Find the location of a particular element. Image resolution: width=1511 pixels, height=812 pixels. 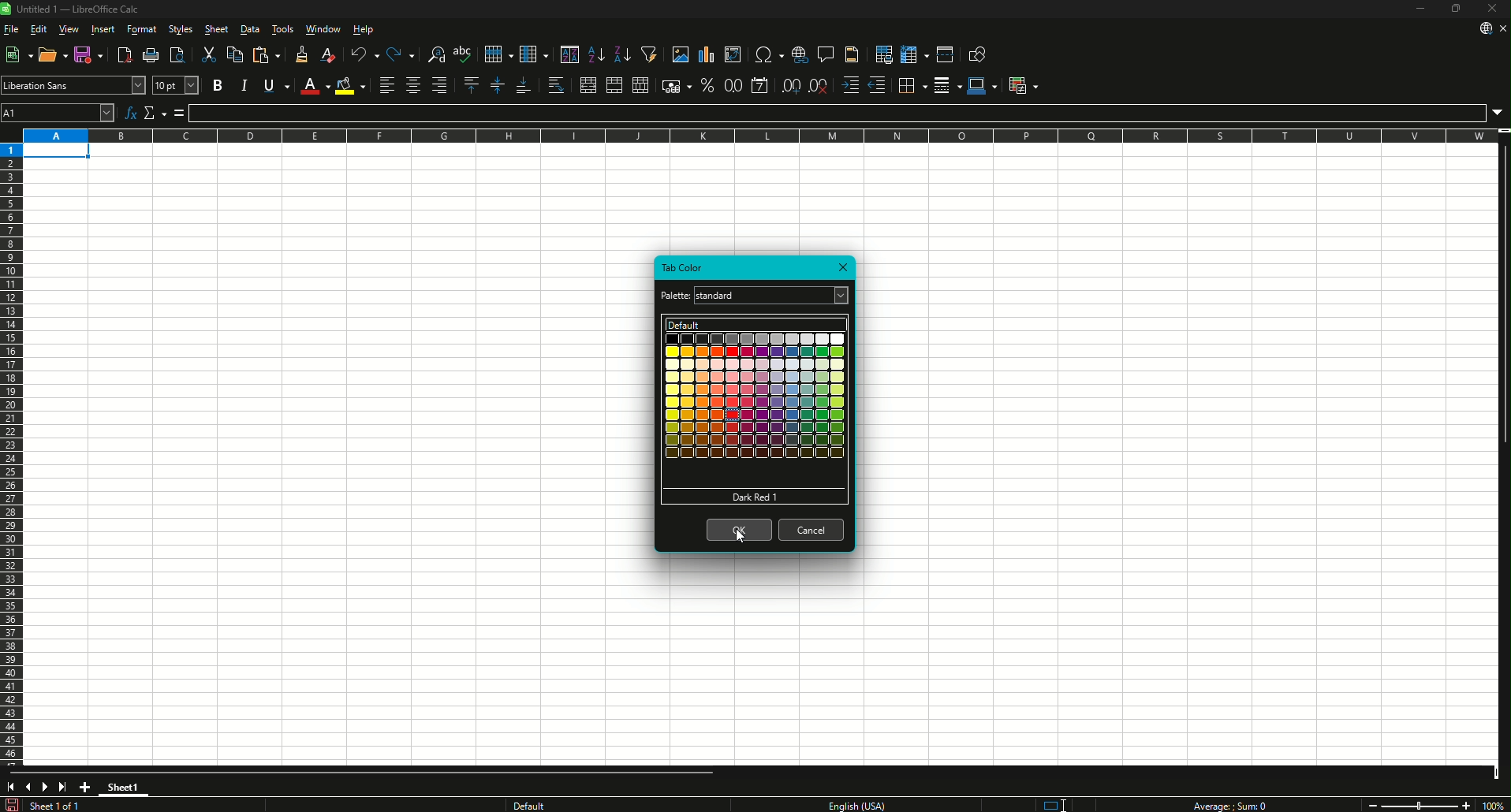

Edit is located at coordinates (38, 28).